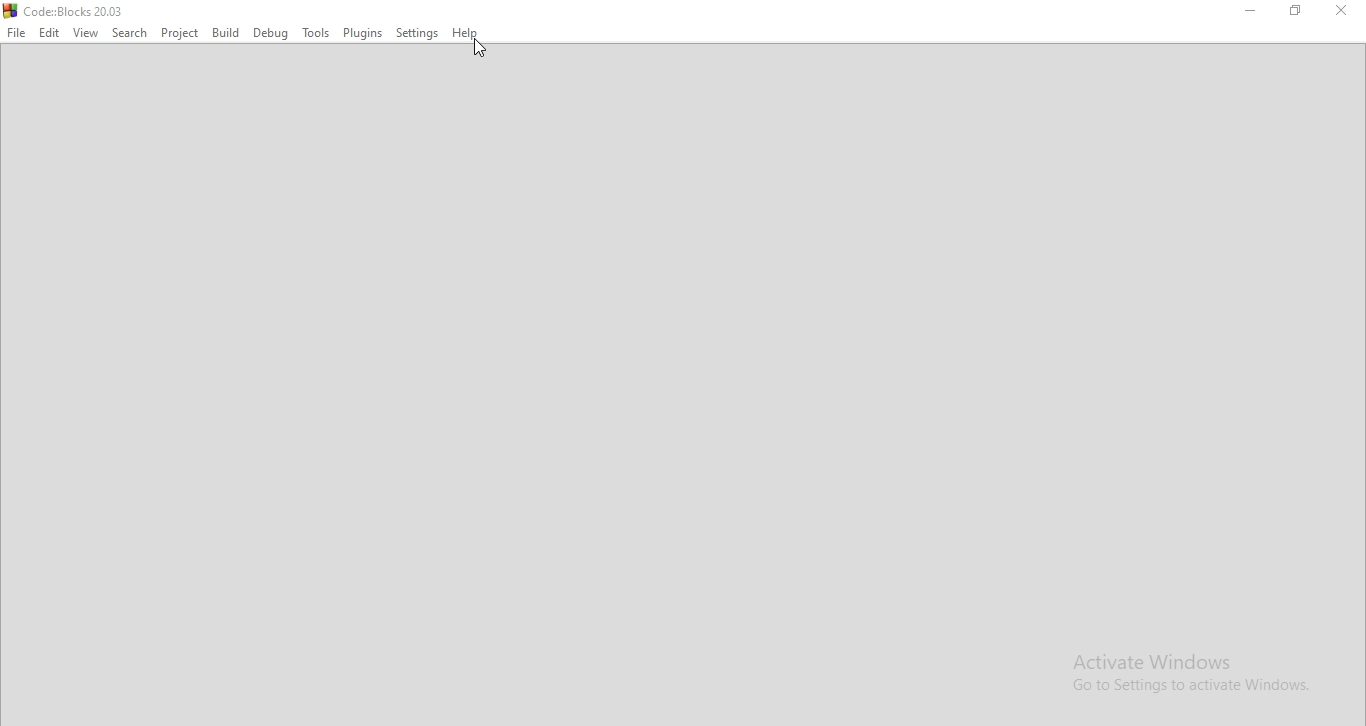  I want to click on Settings , so click(419, 34).